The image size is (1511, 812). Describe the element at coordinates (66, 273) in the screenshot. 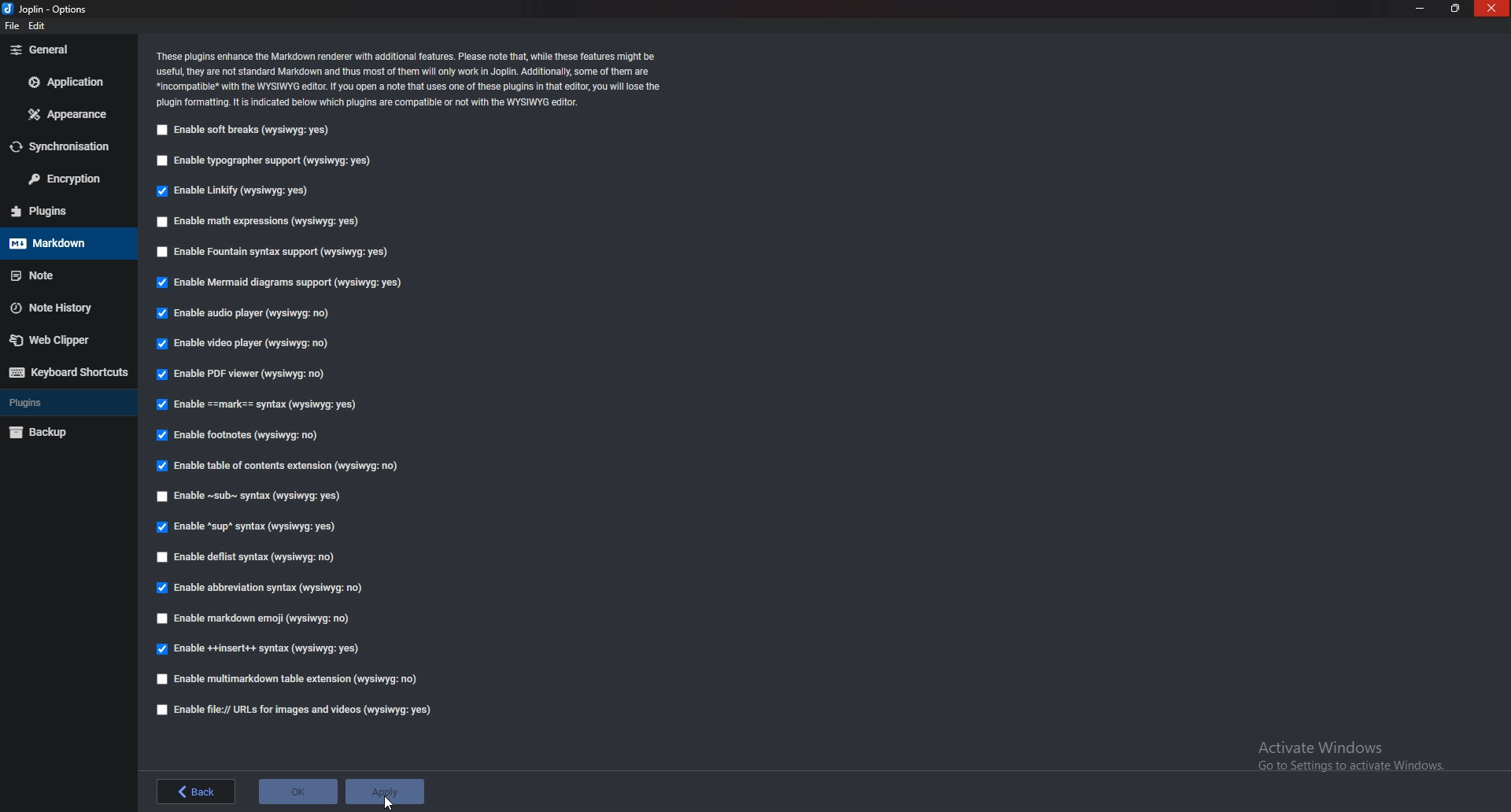

I see `Note` at that location.